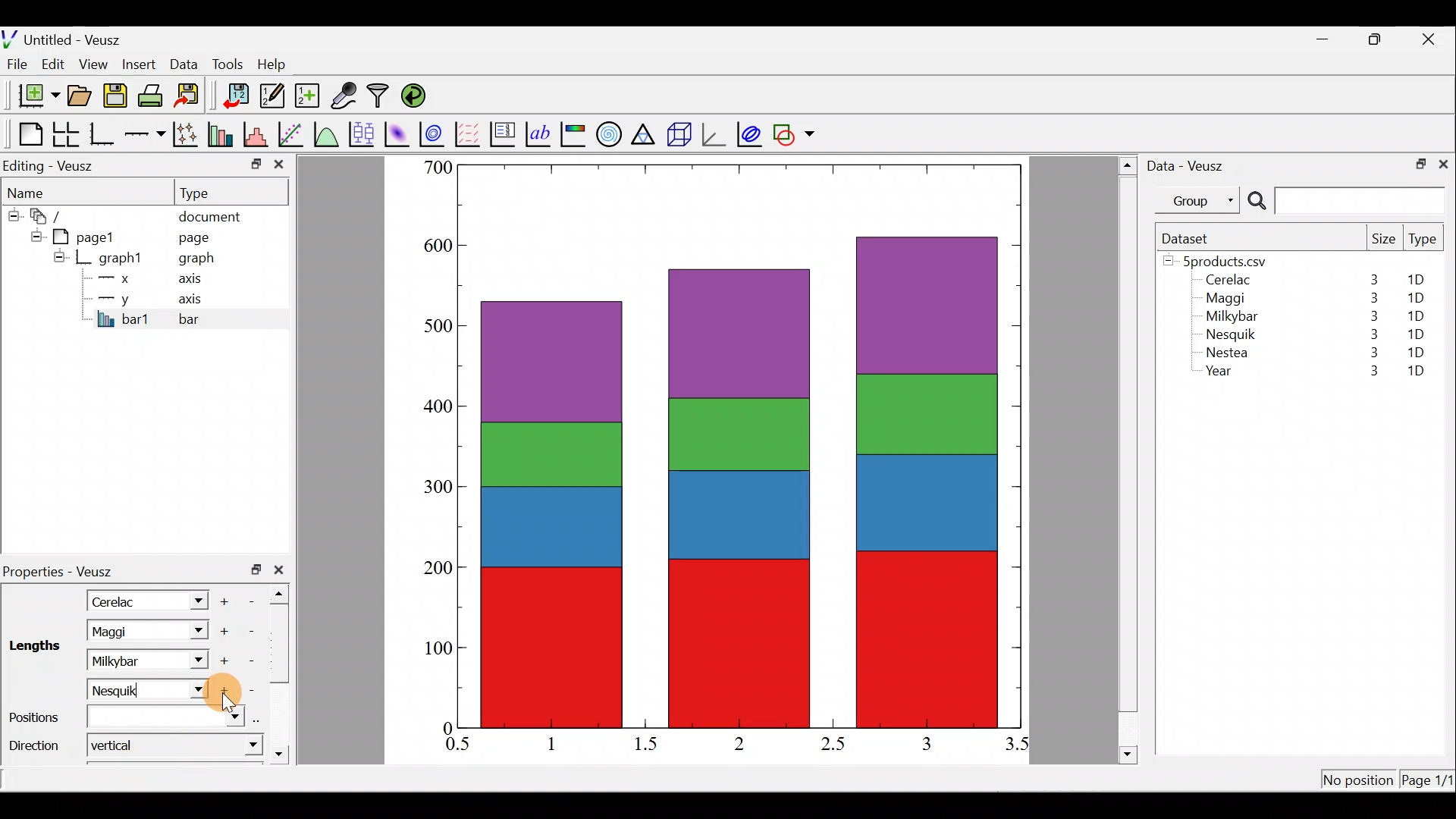 The height and width of the screenshot is (819, 1456). What do you see at coordinates (504, 133) in the screenshot?
I see `Plot key` at bounding box center [504, 133].